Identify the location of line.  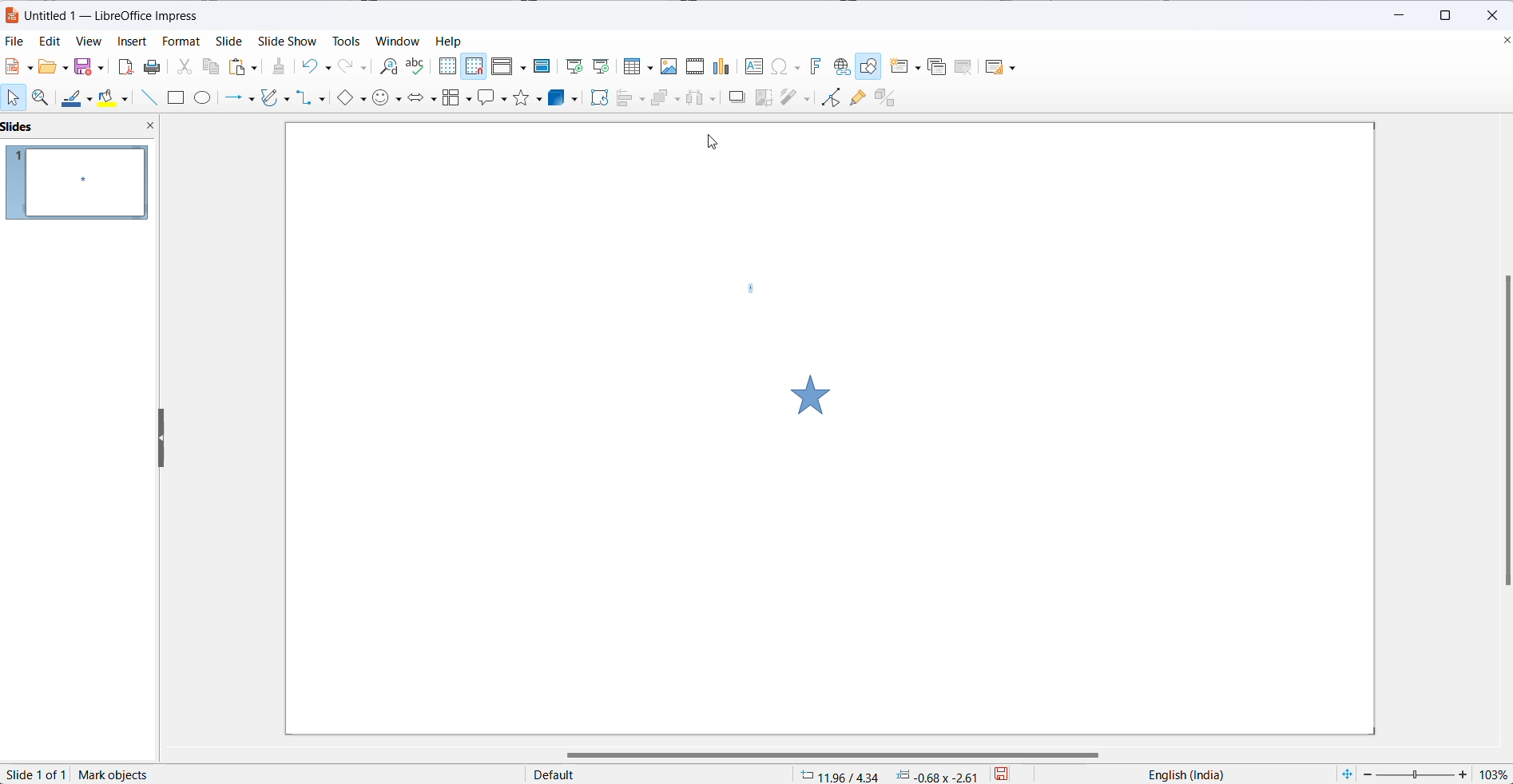
(153, 97).